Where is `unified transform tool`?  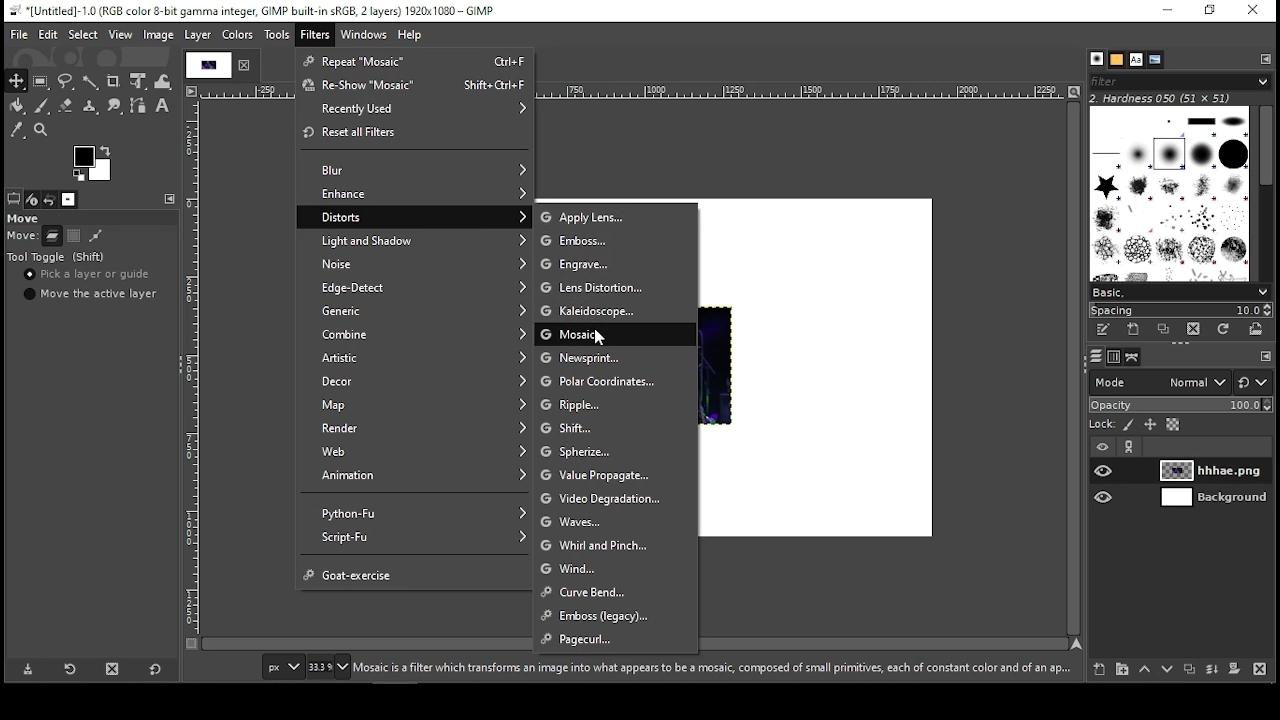 unified transform tool is located at coordinates (140, 82).